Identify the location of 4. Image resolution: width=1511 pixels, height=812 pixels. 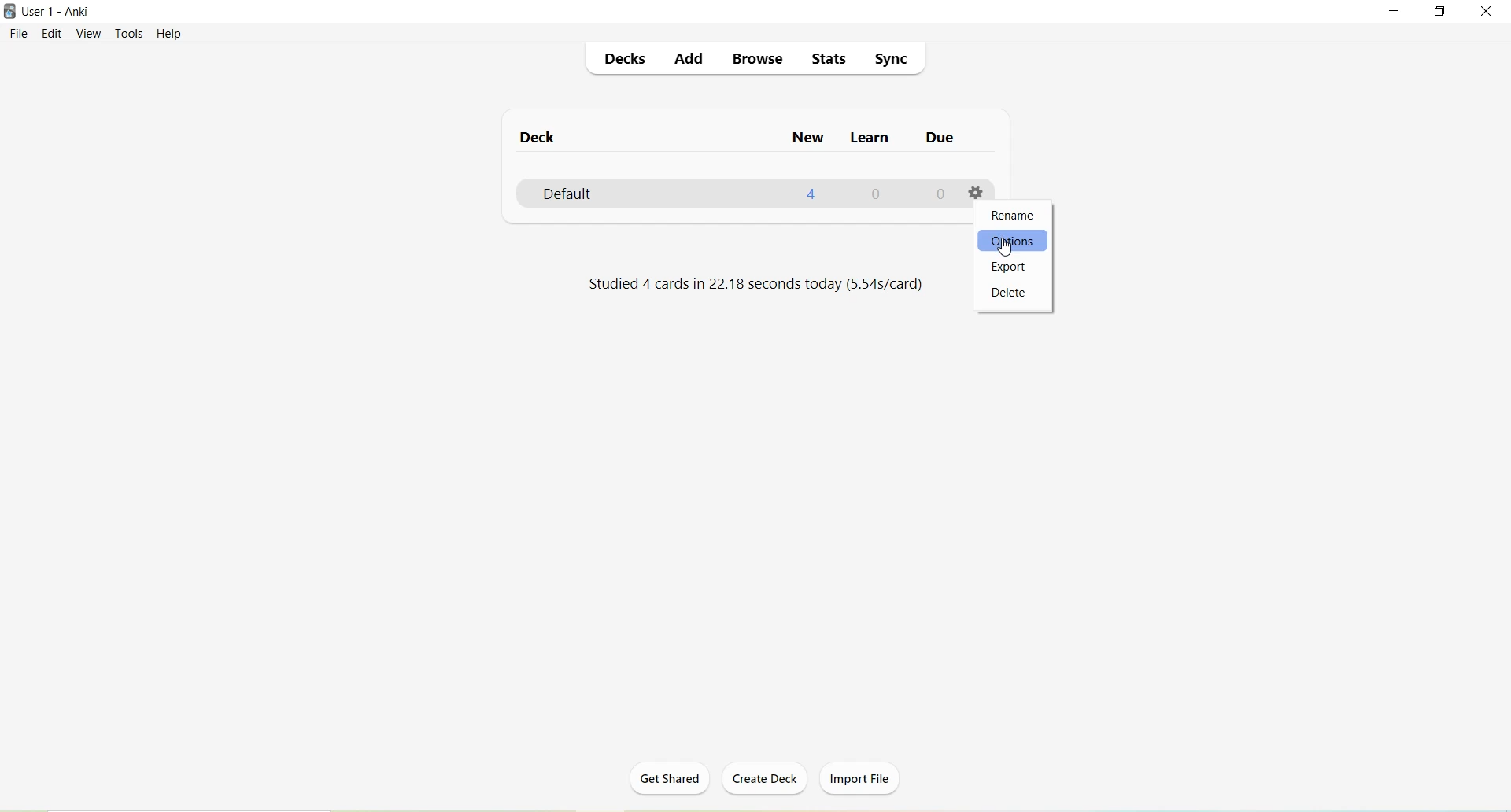
(813, 194).